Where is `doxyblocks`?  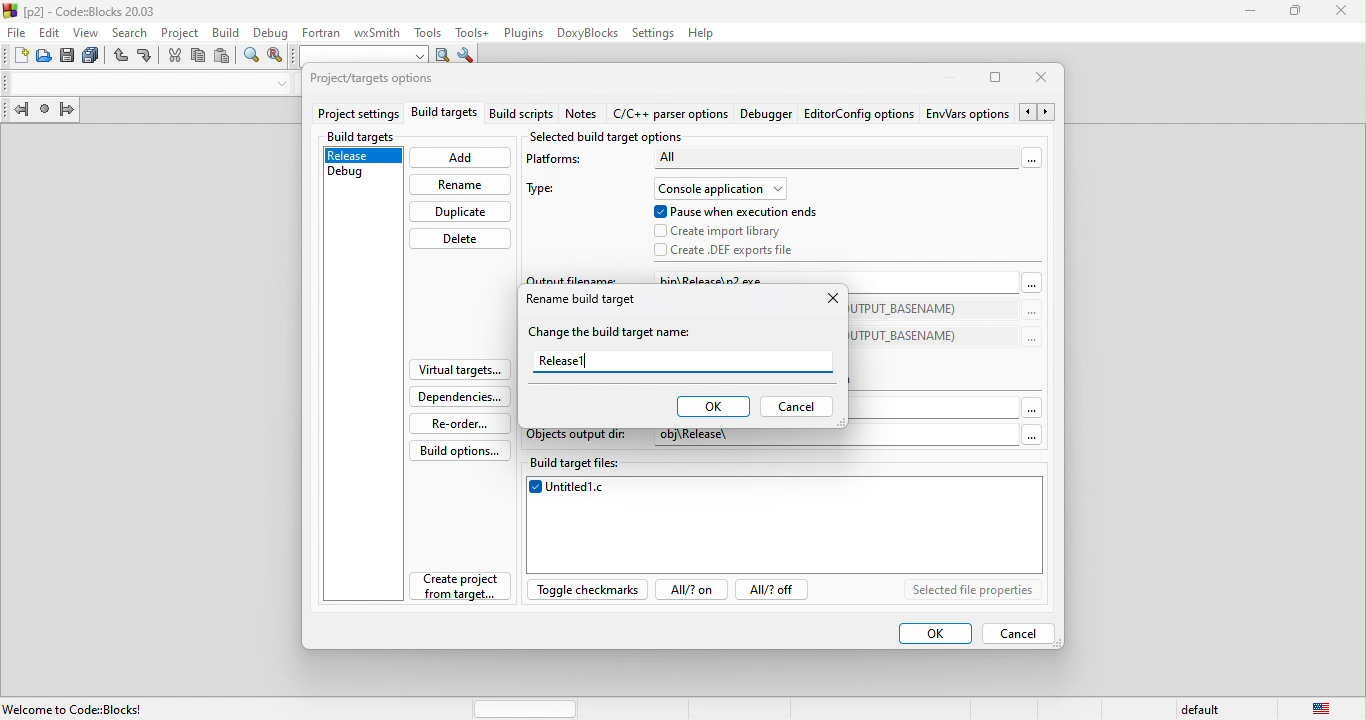
doxyblocks is located at coordinates (584, 33).